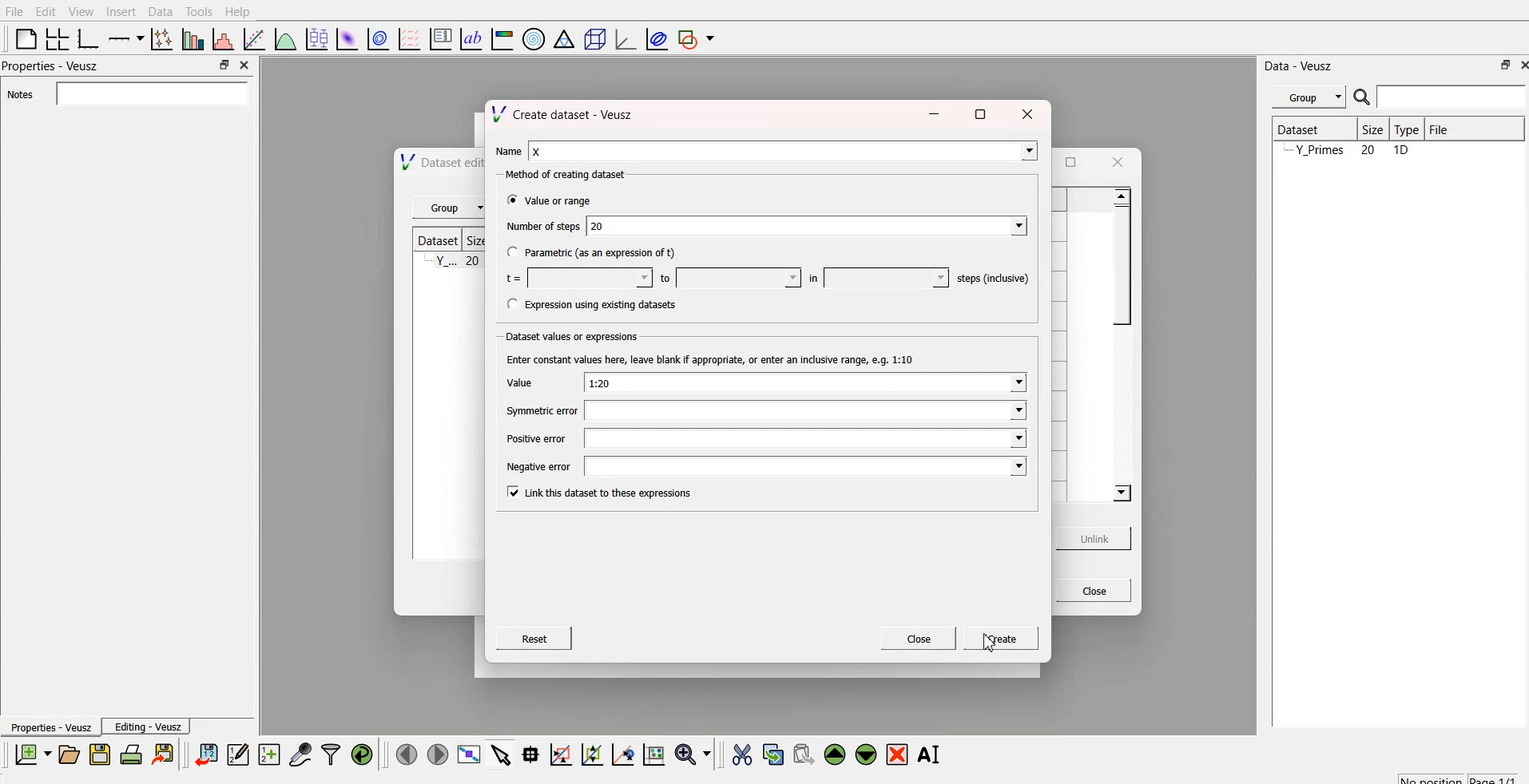 Image resolution: width=1529 pixels, height=784 pixels. What do you see at coordinates (1311, 95) in the screenshot?
I see `Group` at bounding box center [1311, 95].